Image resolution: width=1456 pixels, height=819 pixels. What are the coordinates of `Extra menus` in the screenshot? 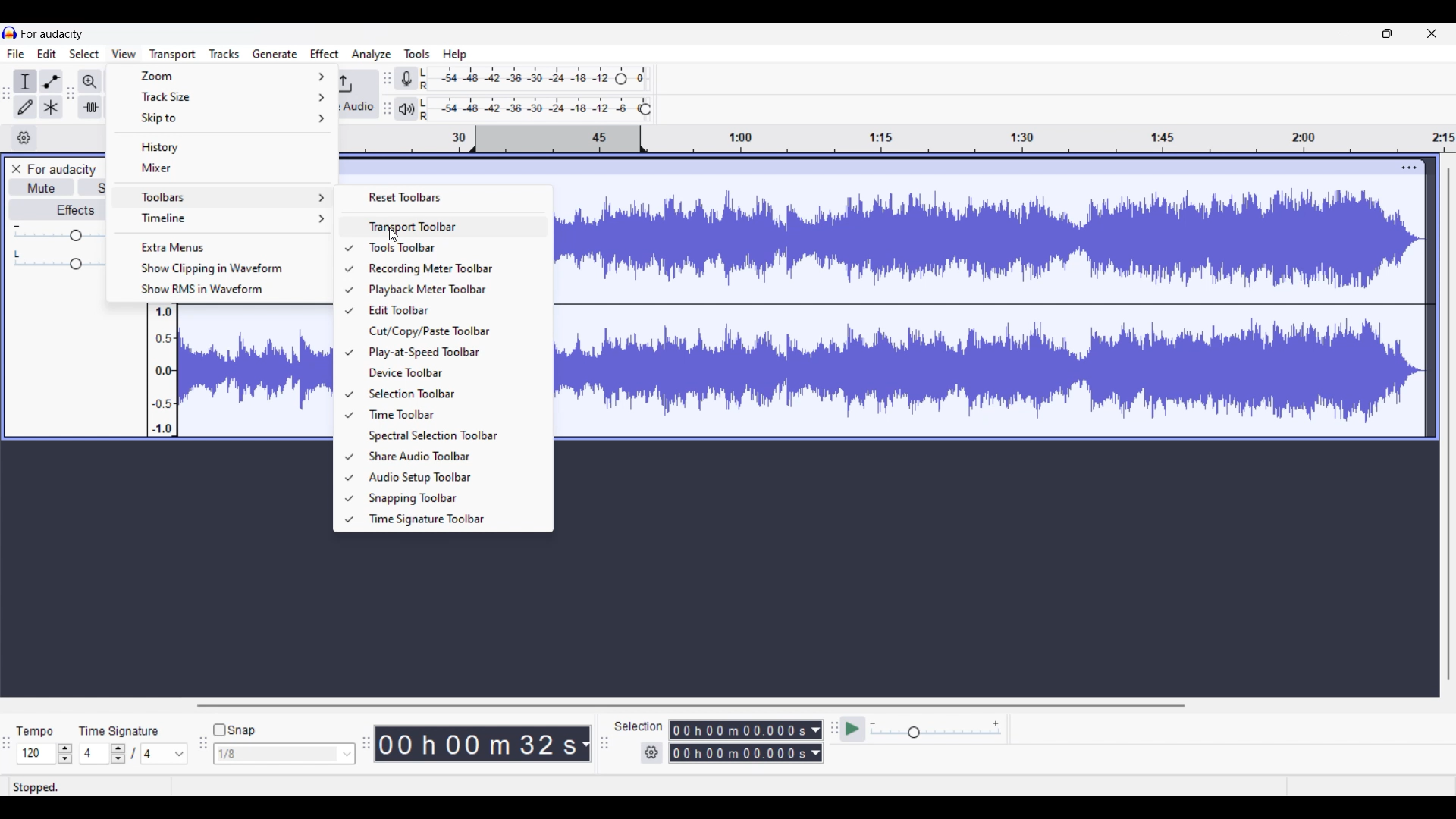 It's located at (219, 247).